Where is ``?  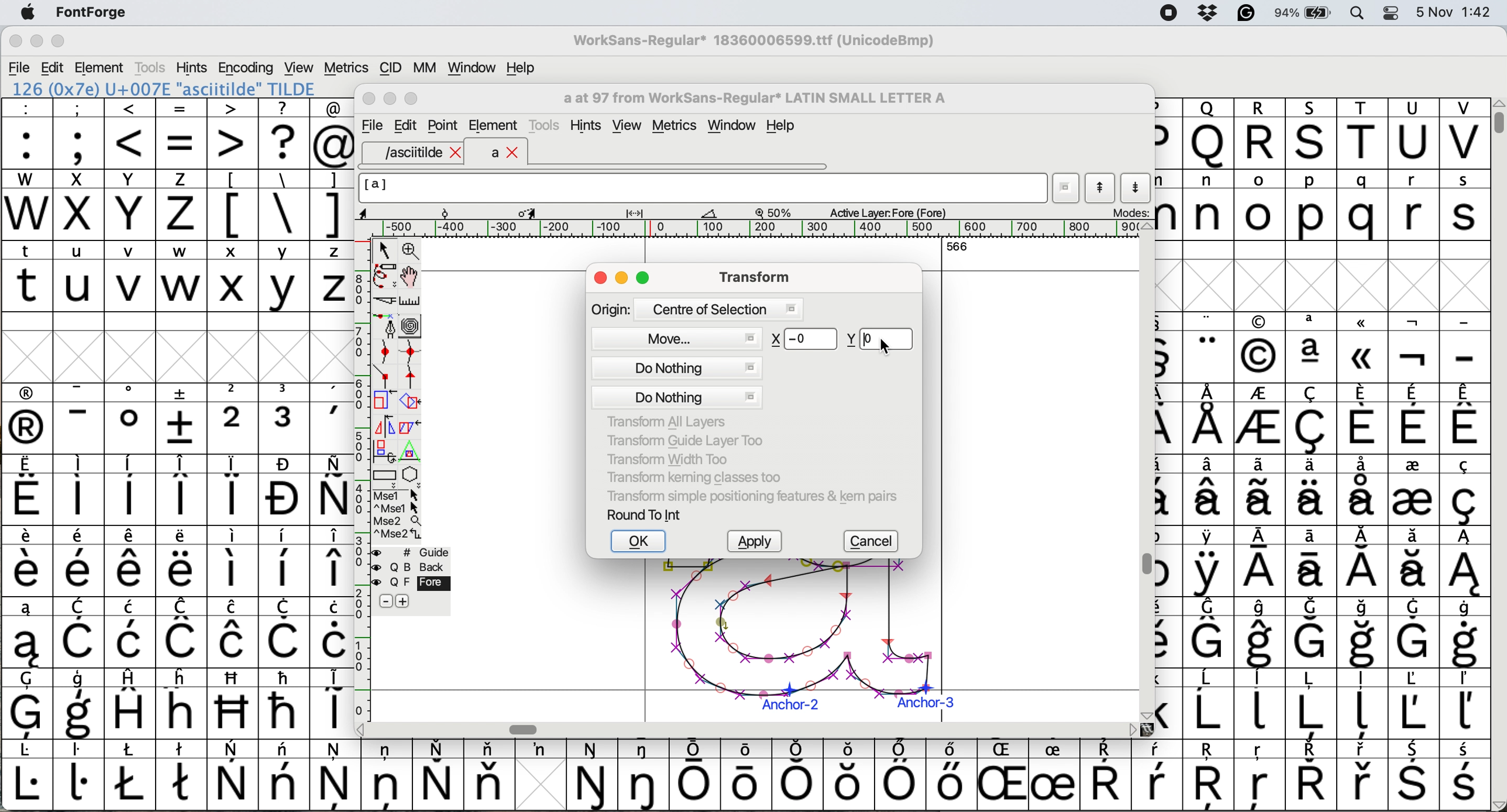
 is located at coordinates (1261, 776).